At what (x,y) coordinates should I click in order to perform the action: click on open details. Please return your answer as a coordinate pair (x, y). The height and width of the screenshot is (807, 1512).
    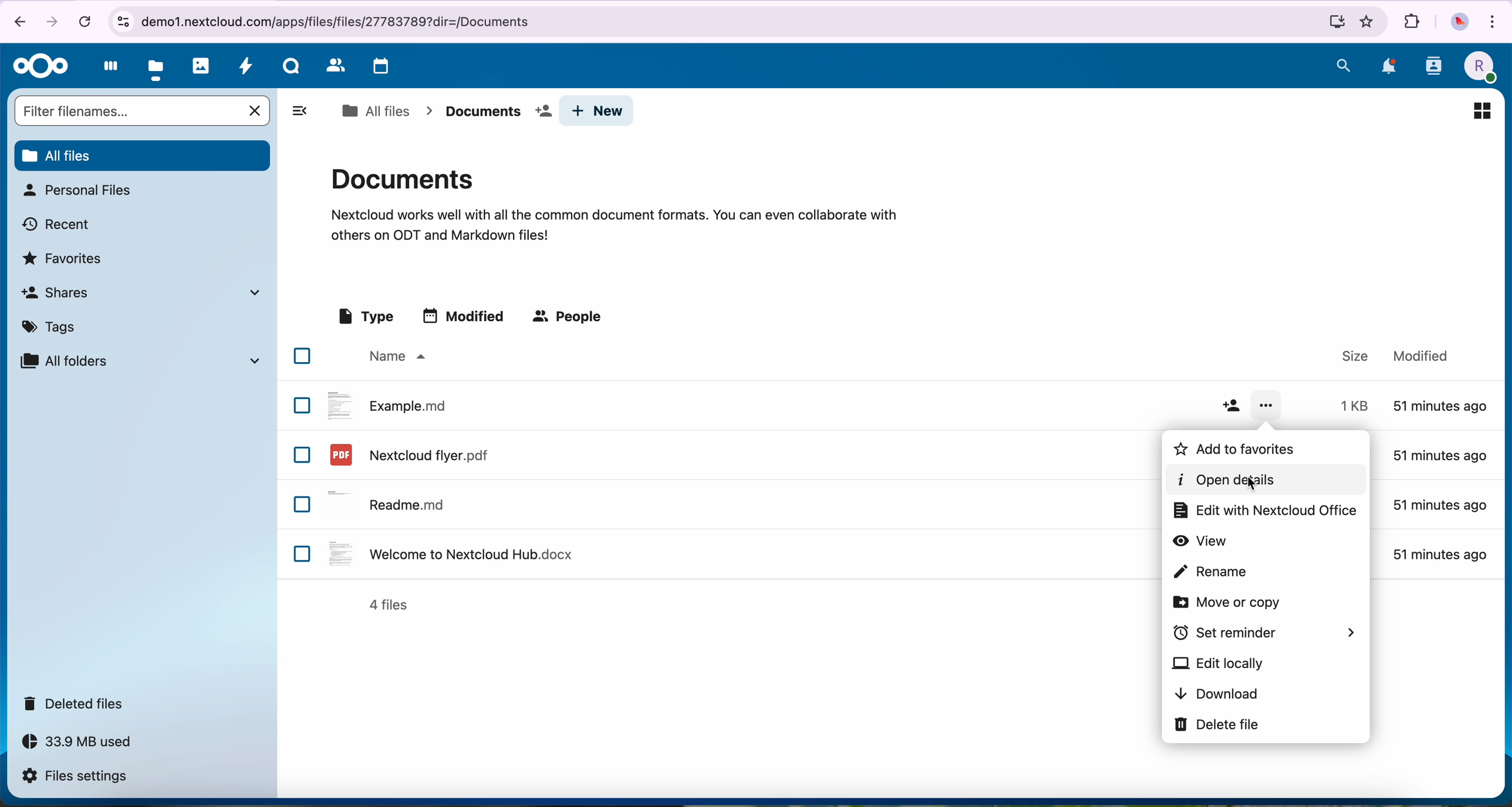
    Looking at the image, I should click on (1264, 480).